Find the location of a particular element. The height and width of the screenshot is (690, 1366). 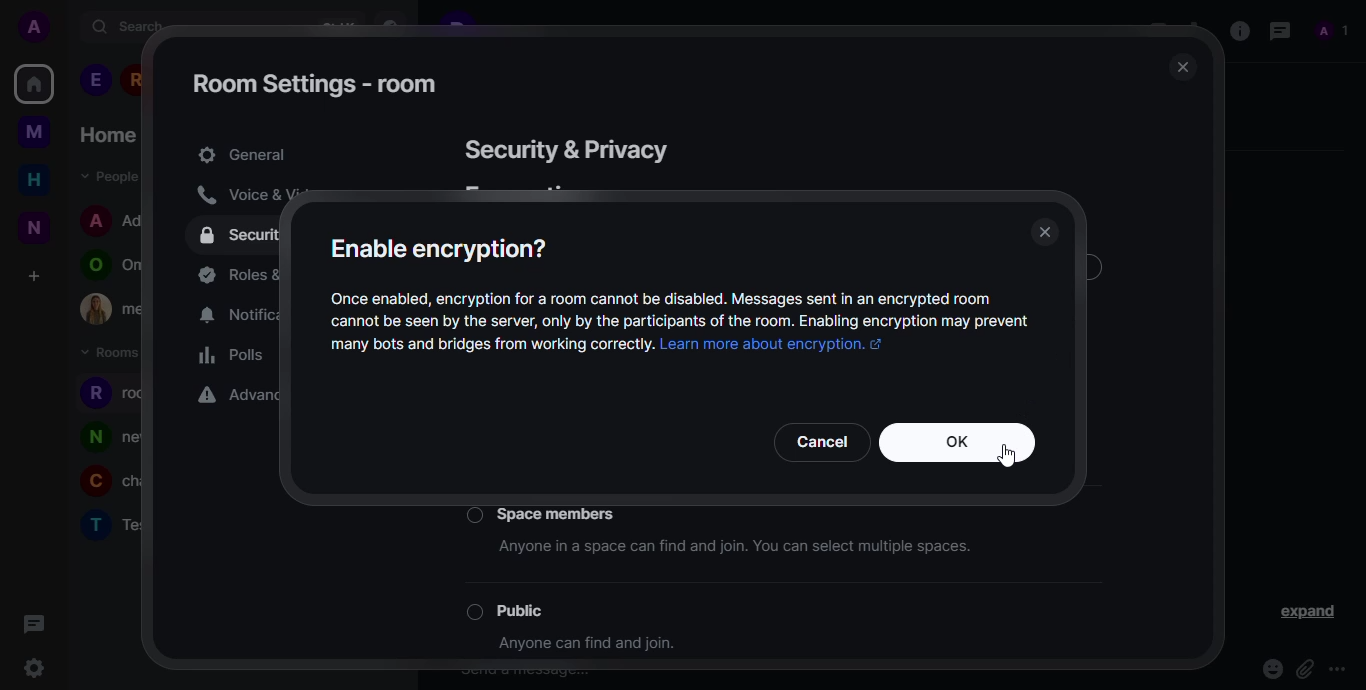

close is located at coordinates (1047, 233).